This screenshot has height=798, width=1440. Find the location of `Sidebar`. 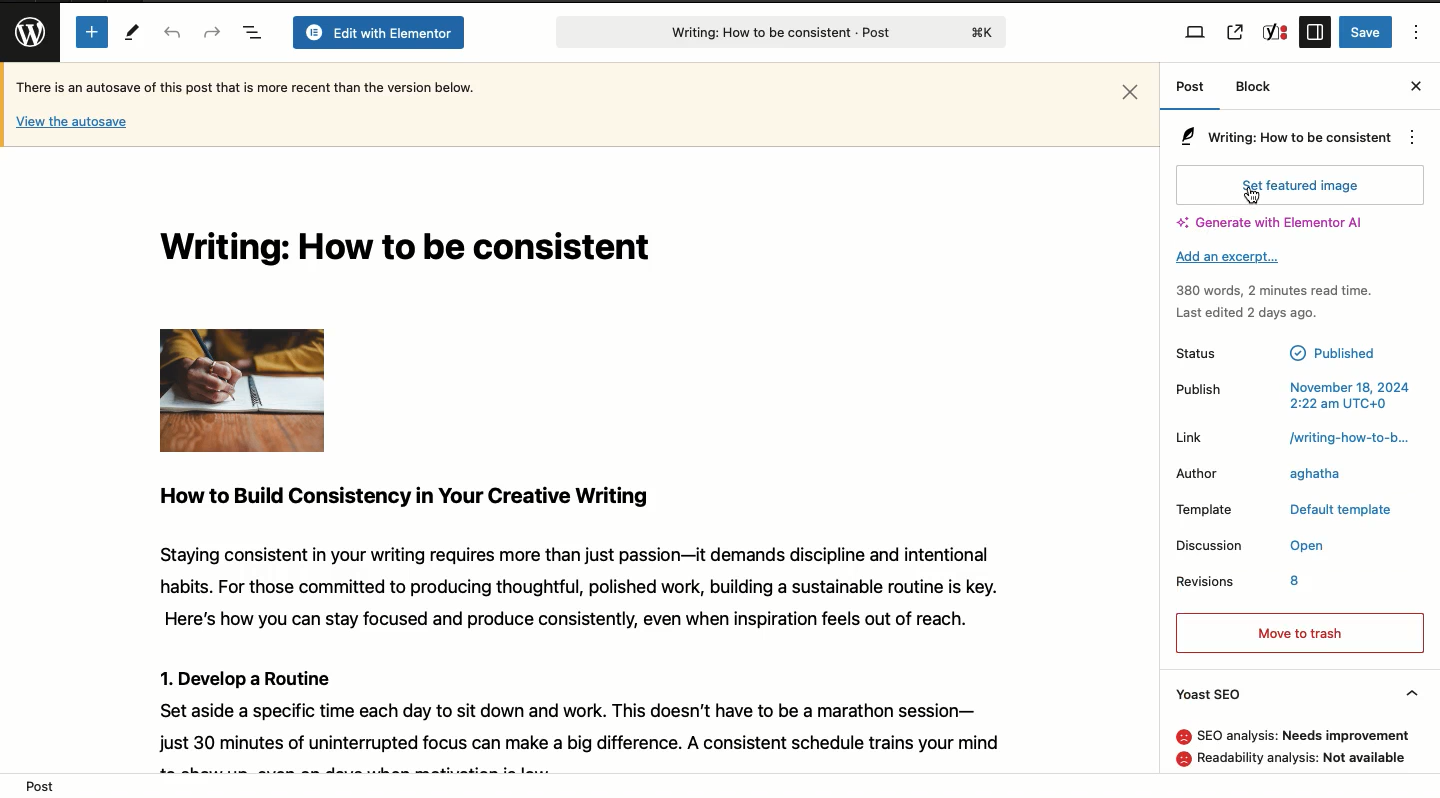

Sidebar is located at coordinates (1315, 32).